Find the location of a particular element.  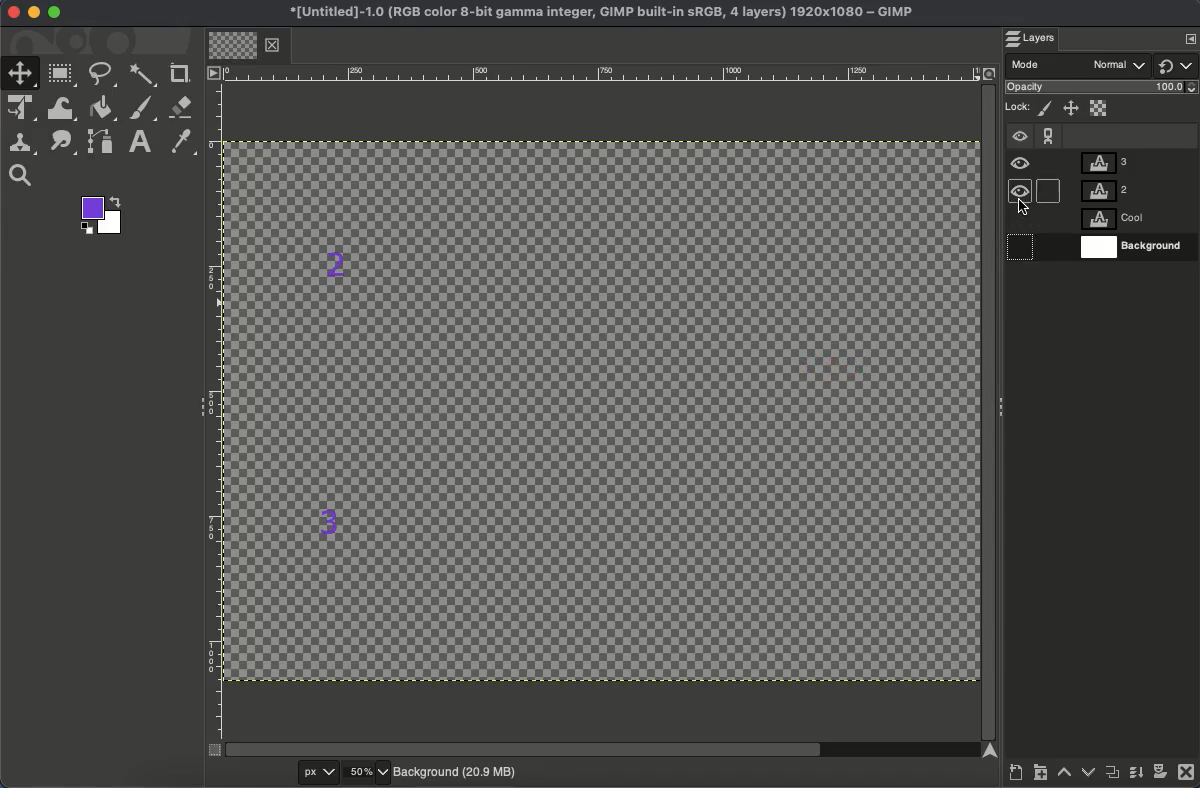

hidden is located at coordinates (1049, 192).